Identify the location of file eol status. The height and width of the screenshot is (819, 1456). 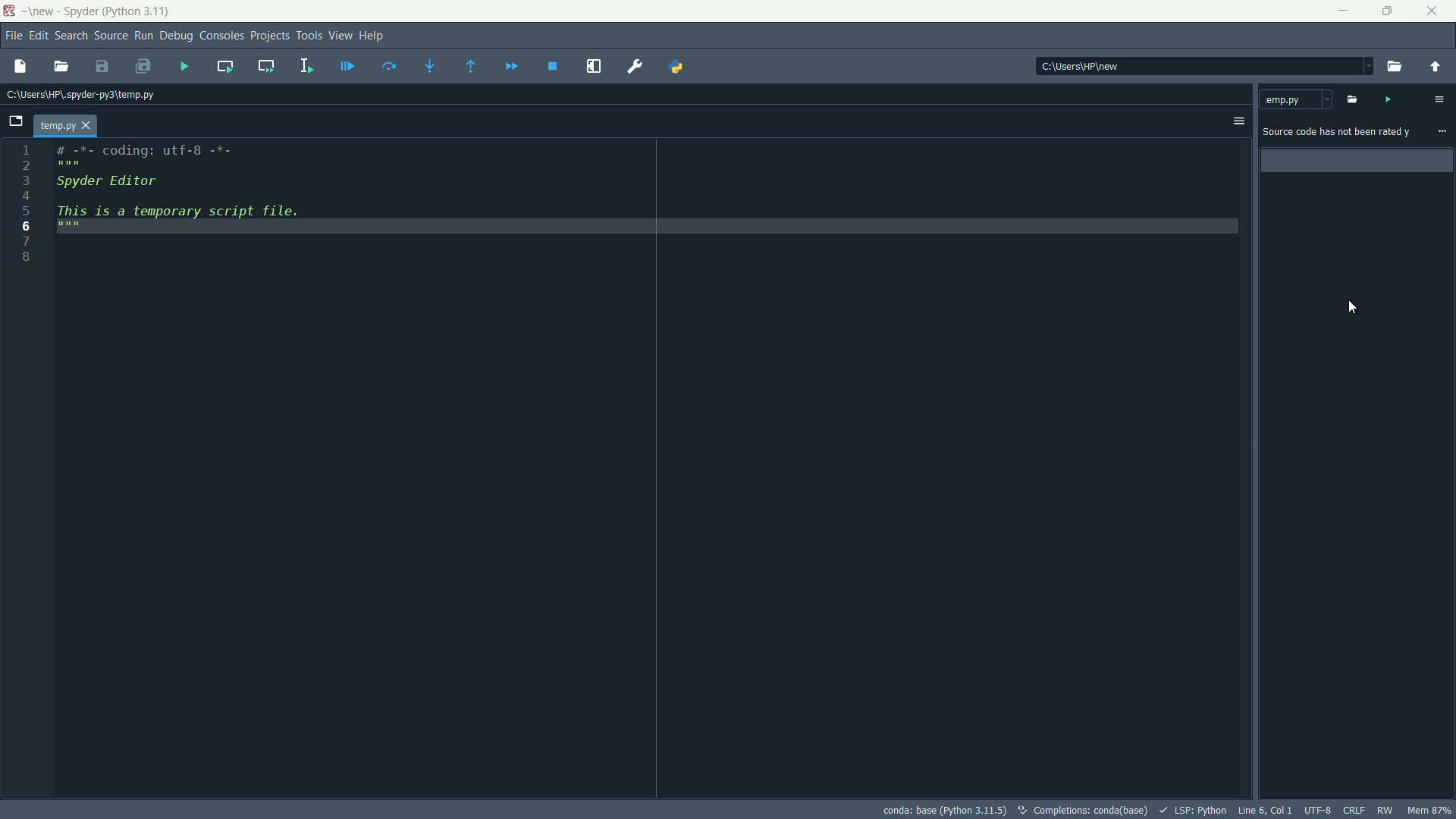
(1354, 809).